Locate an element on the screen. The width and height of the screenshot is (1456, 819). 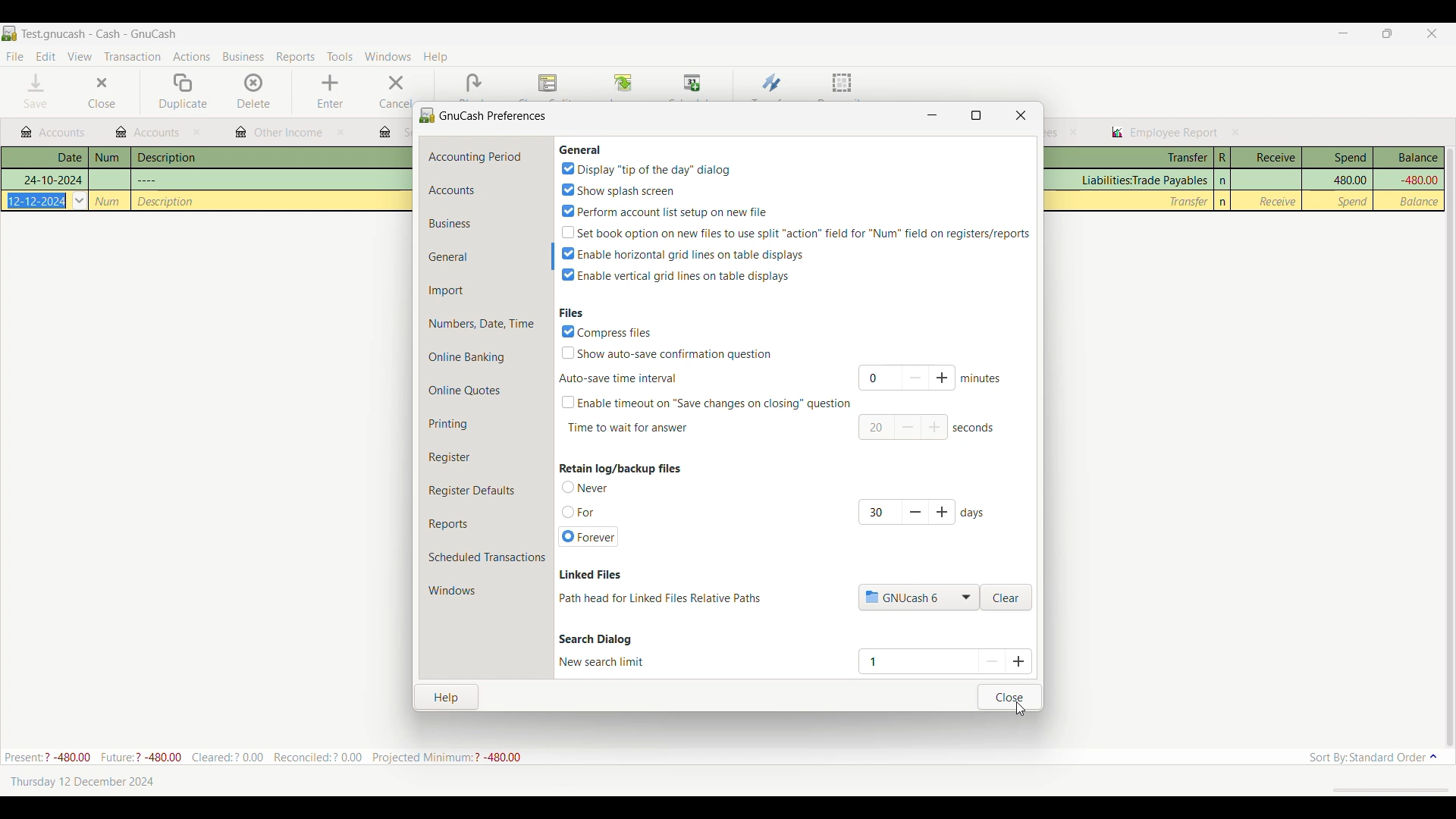
View menu is located at coordinates (80, 56).